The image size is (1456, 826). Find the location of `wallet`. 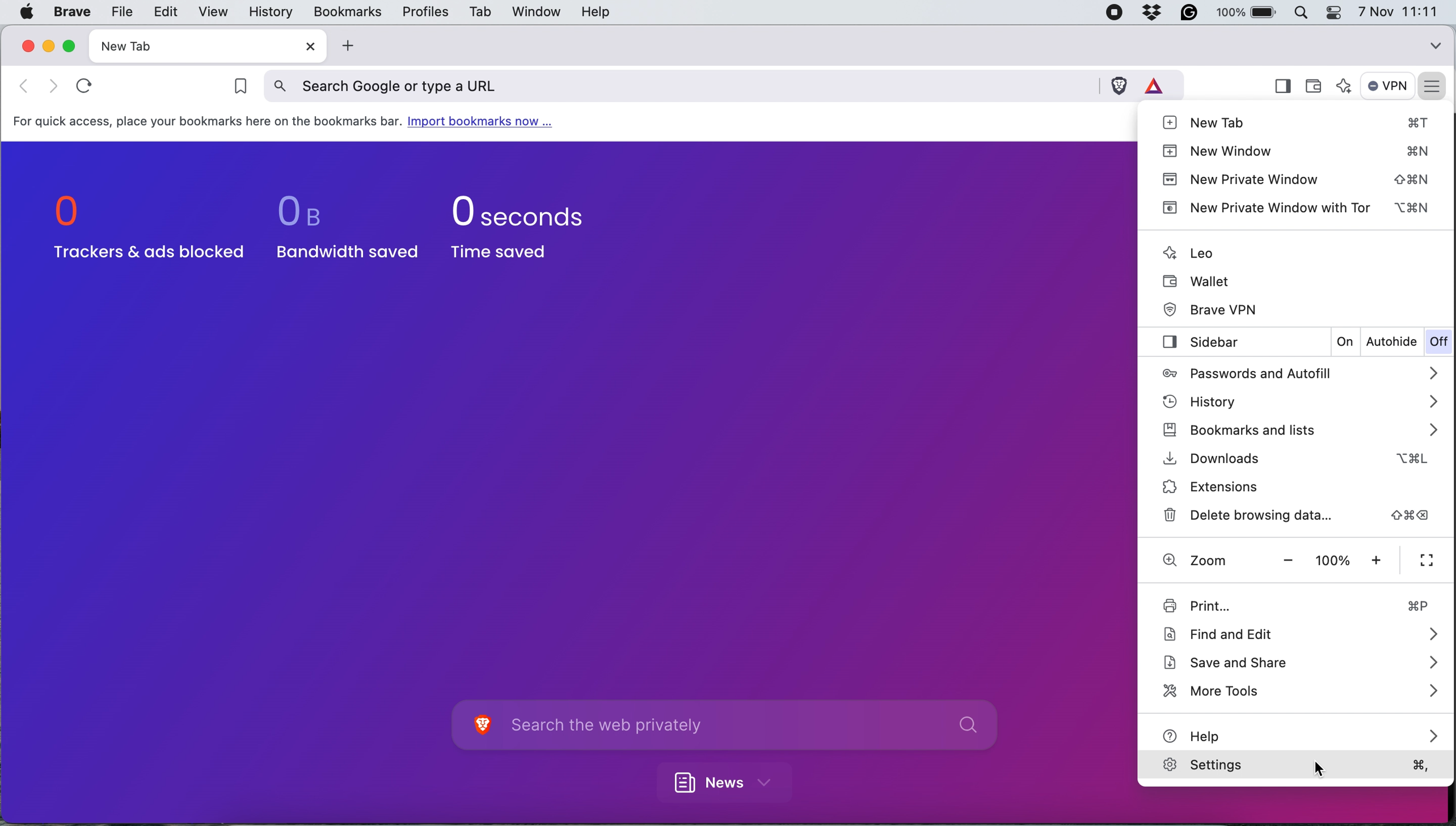

wallet is located at coordinates (1318, 82).